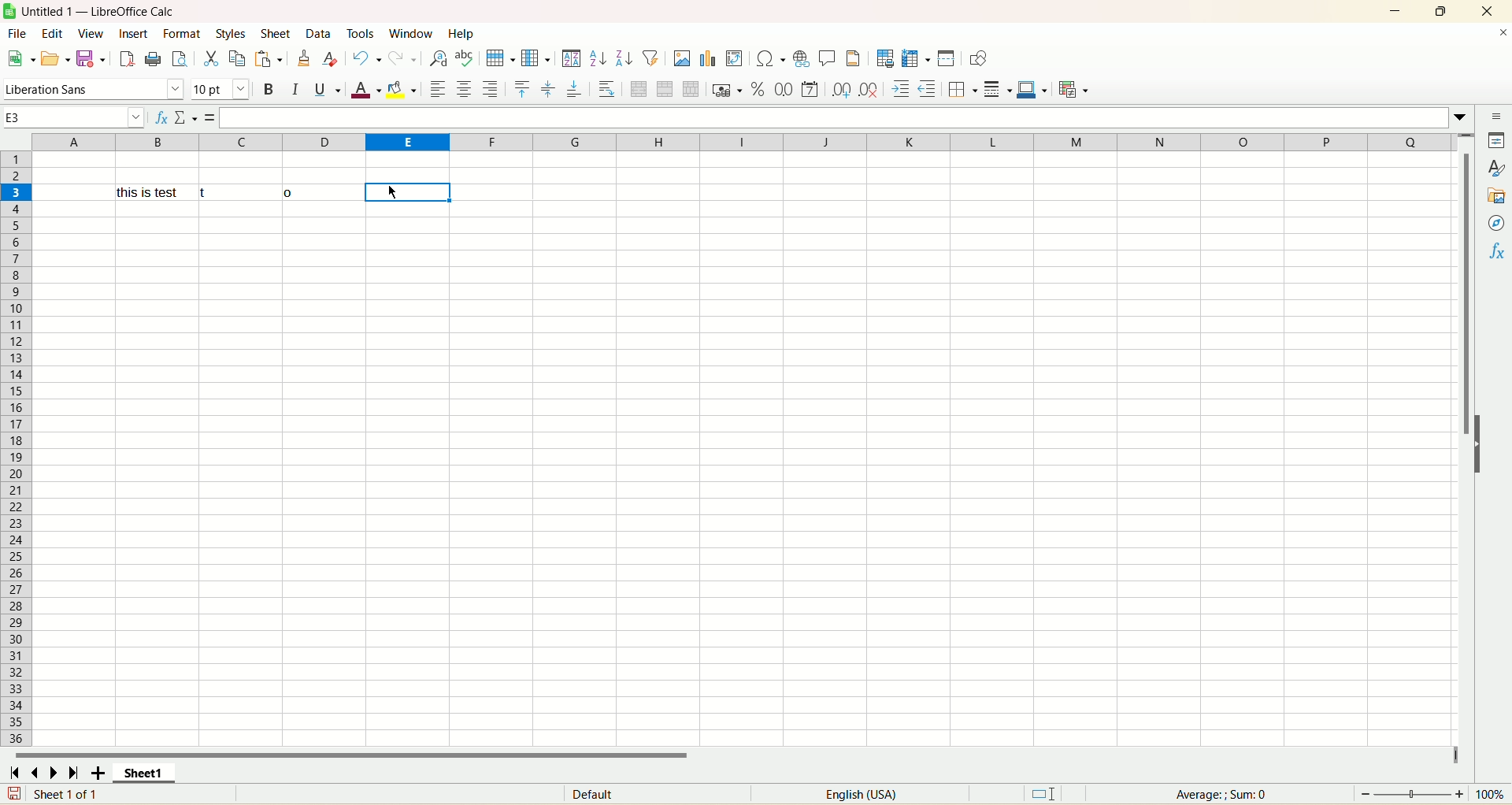  Describe the element at coordinates (854, 58) in the screenshot. I see `header and footers` at that location.